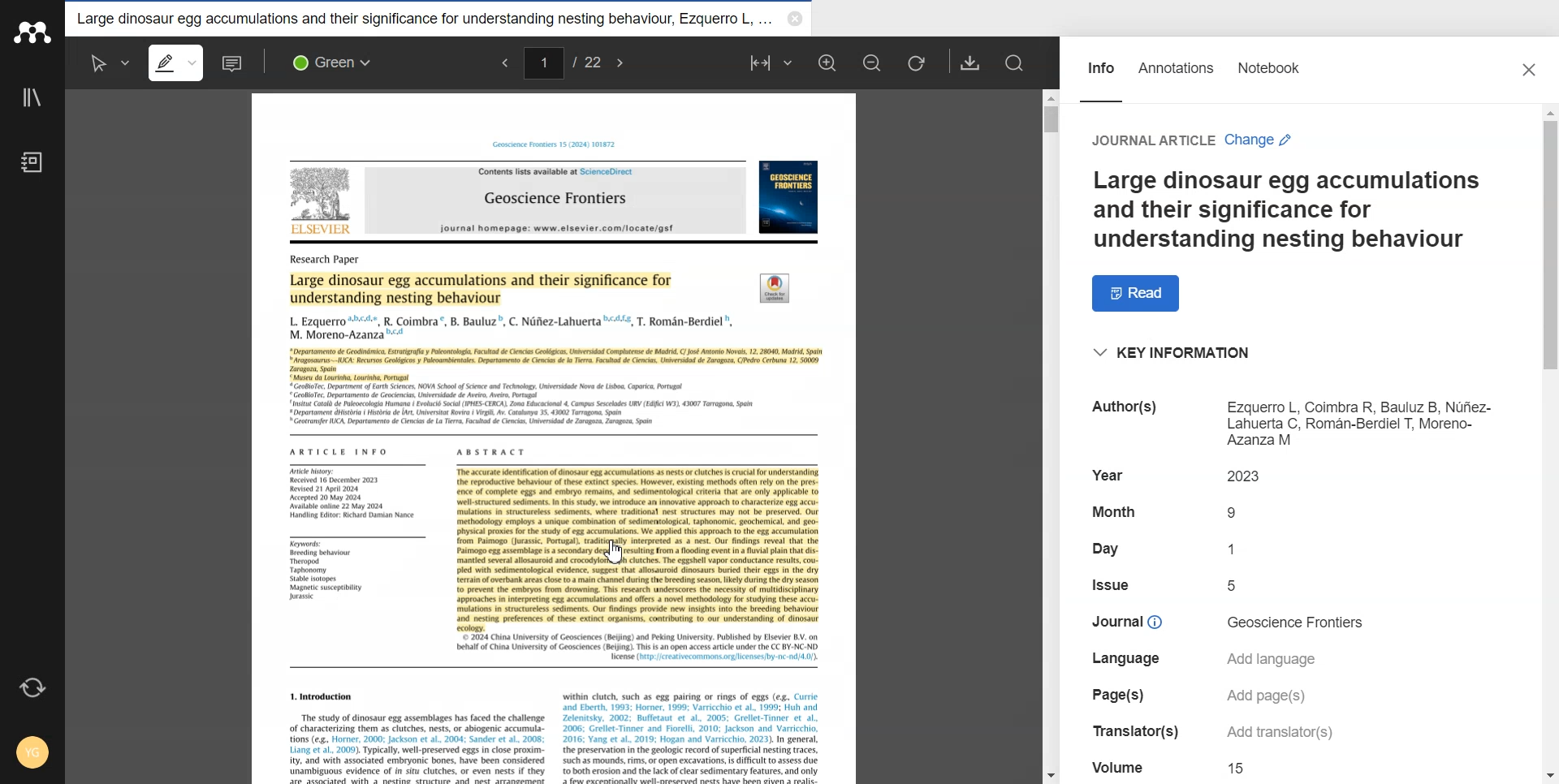 This screenshot has height=784, width=1559. Describe the element at coordinates (106, 62) in the screenshot. I see `Select text` at that location.